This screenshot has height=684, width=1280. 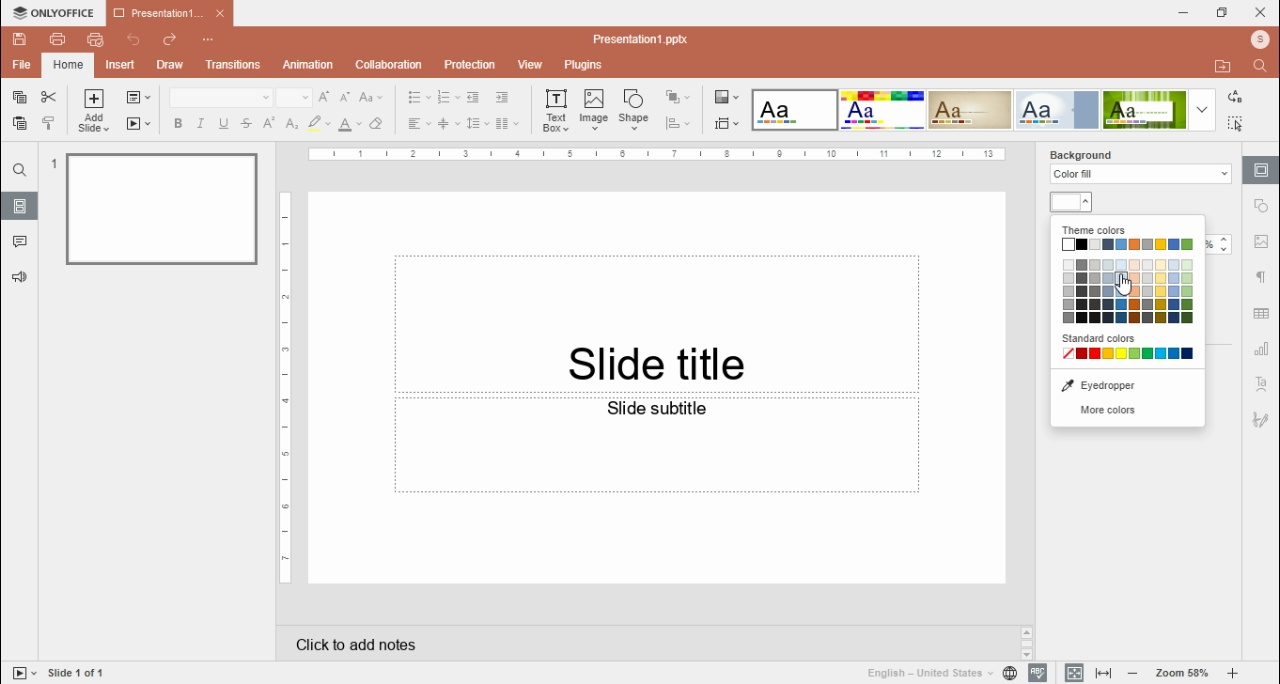 What do you see at coordinates (1263, 206) in the screenshot?
I see `shape settings` at bounding box center [1263, 206].